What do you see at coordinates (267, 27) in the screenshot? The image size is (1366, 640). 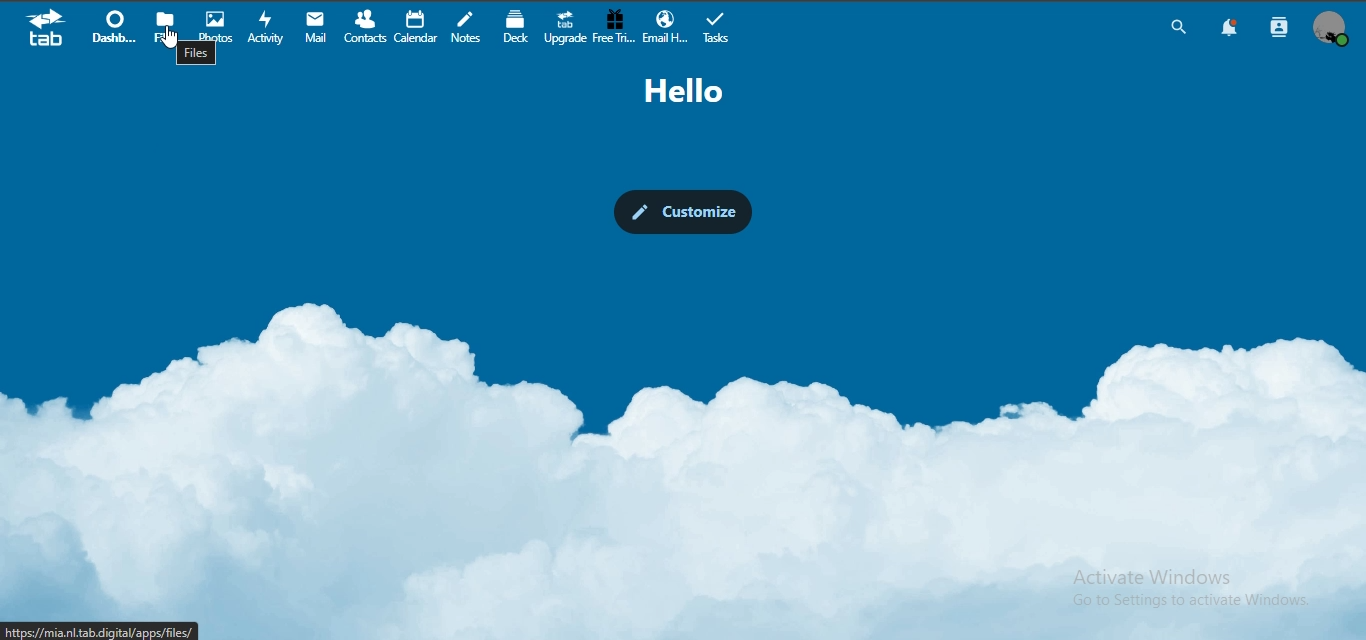 I see `activity` at bounding box center [267, 27].